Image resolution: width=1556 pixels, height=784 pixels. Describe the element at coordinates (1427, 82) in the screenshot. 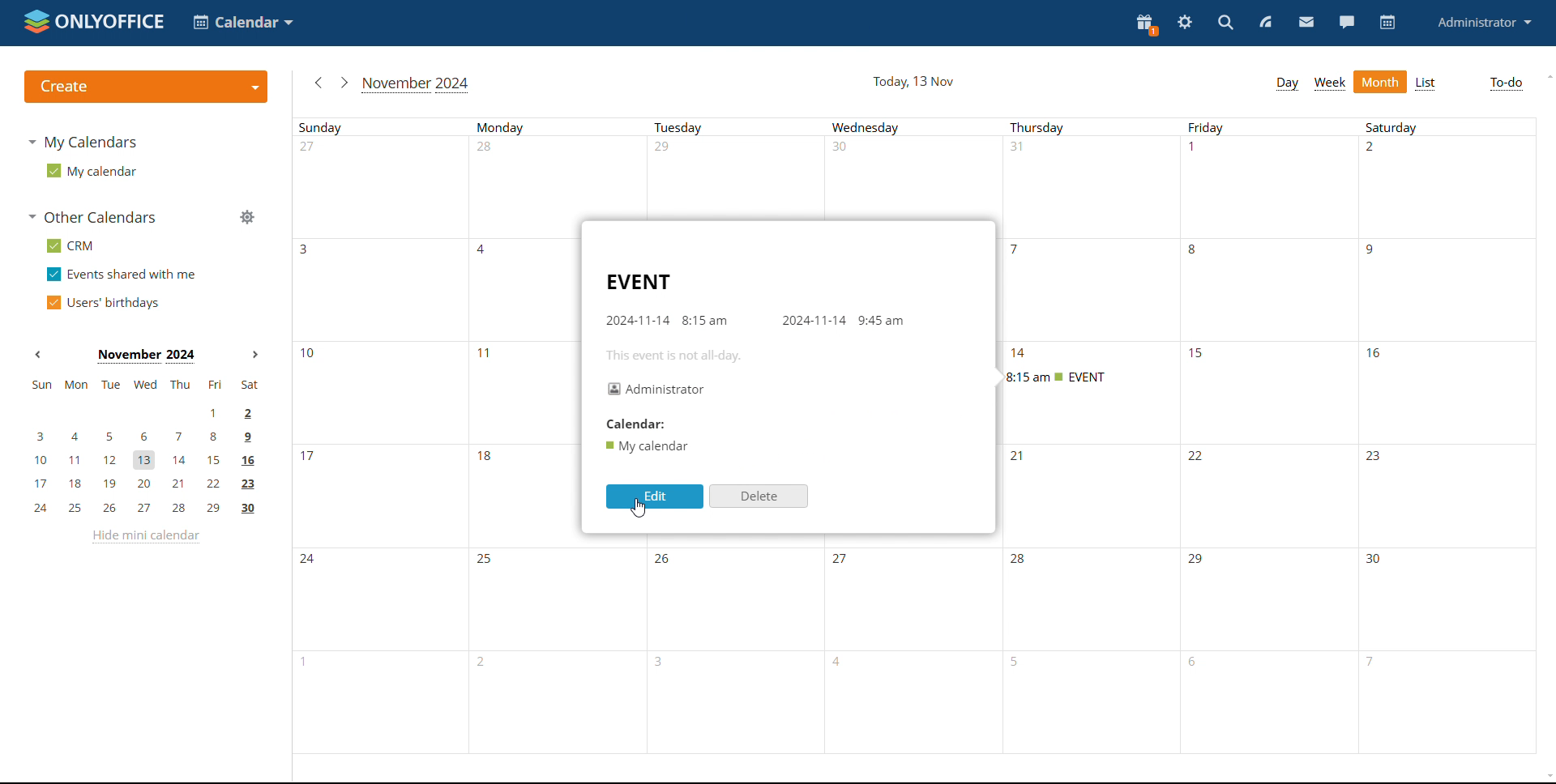

I see `list view` at that location.